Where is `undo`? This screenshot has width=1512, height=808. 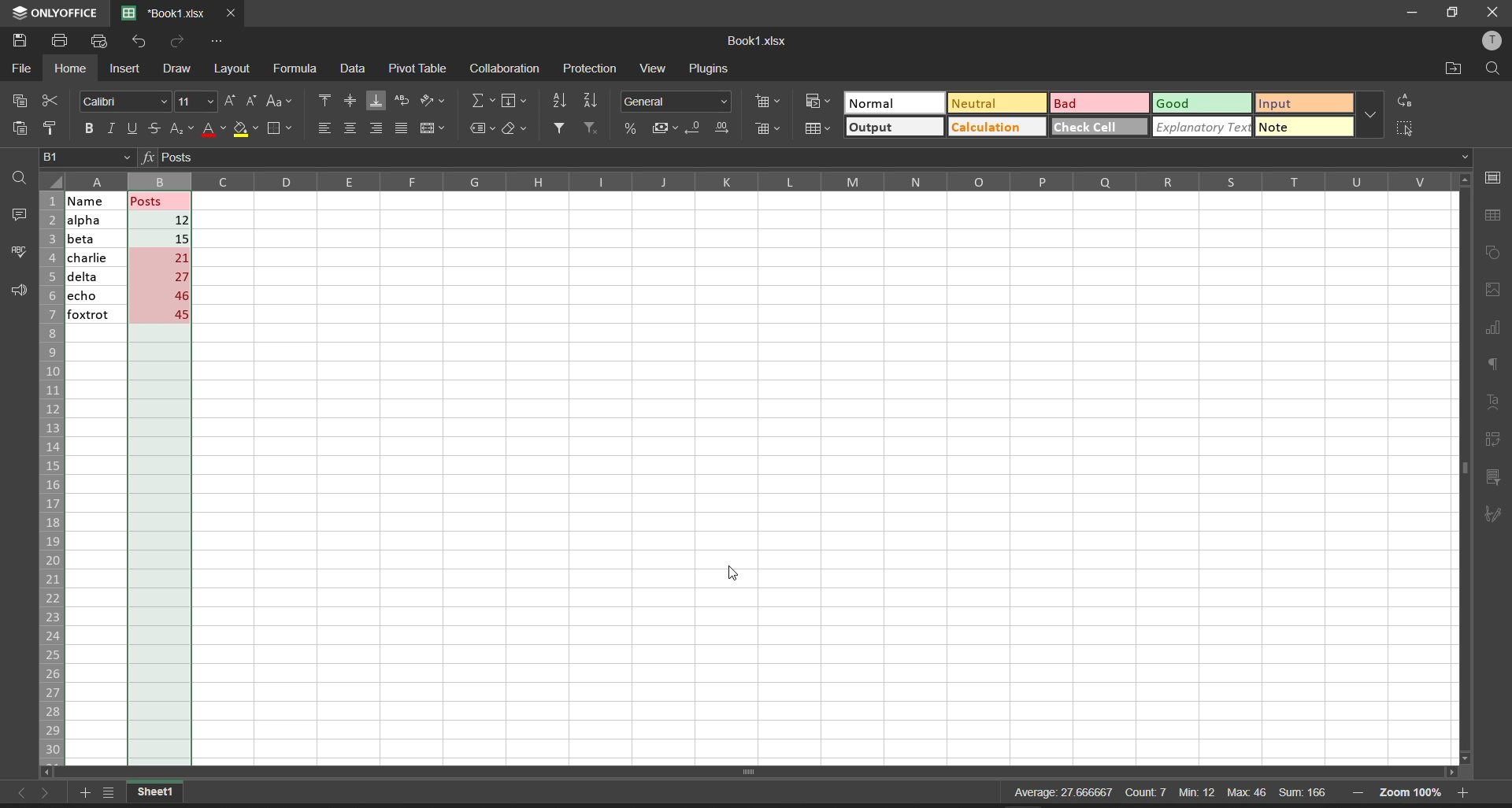
undo is located at coordinates (140, 42).